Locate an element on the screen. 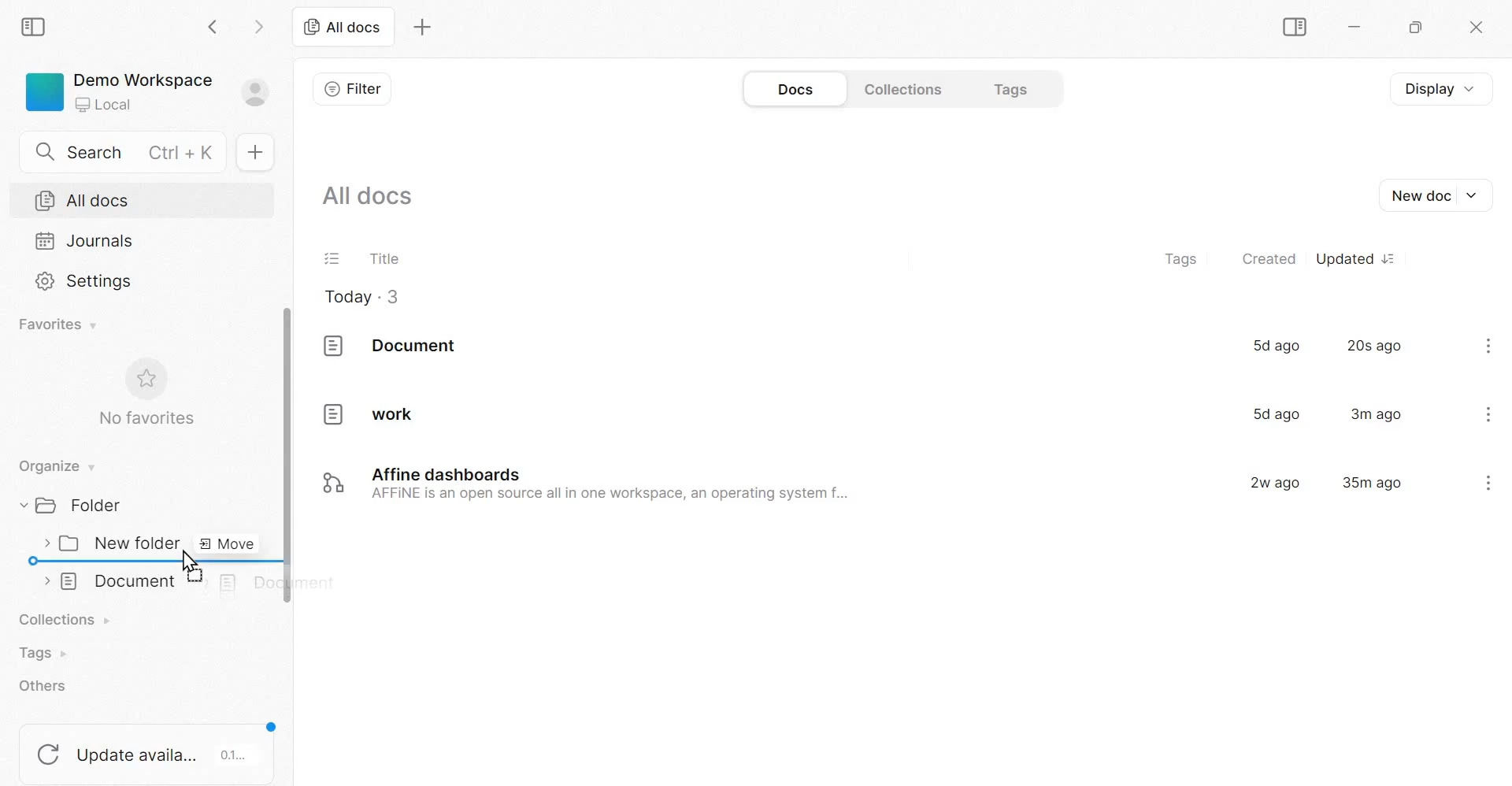  collections is located at coordinates (65, 617).